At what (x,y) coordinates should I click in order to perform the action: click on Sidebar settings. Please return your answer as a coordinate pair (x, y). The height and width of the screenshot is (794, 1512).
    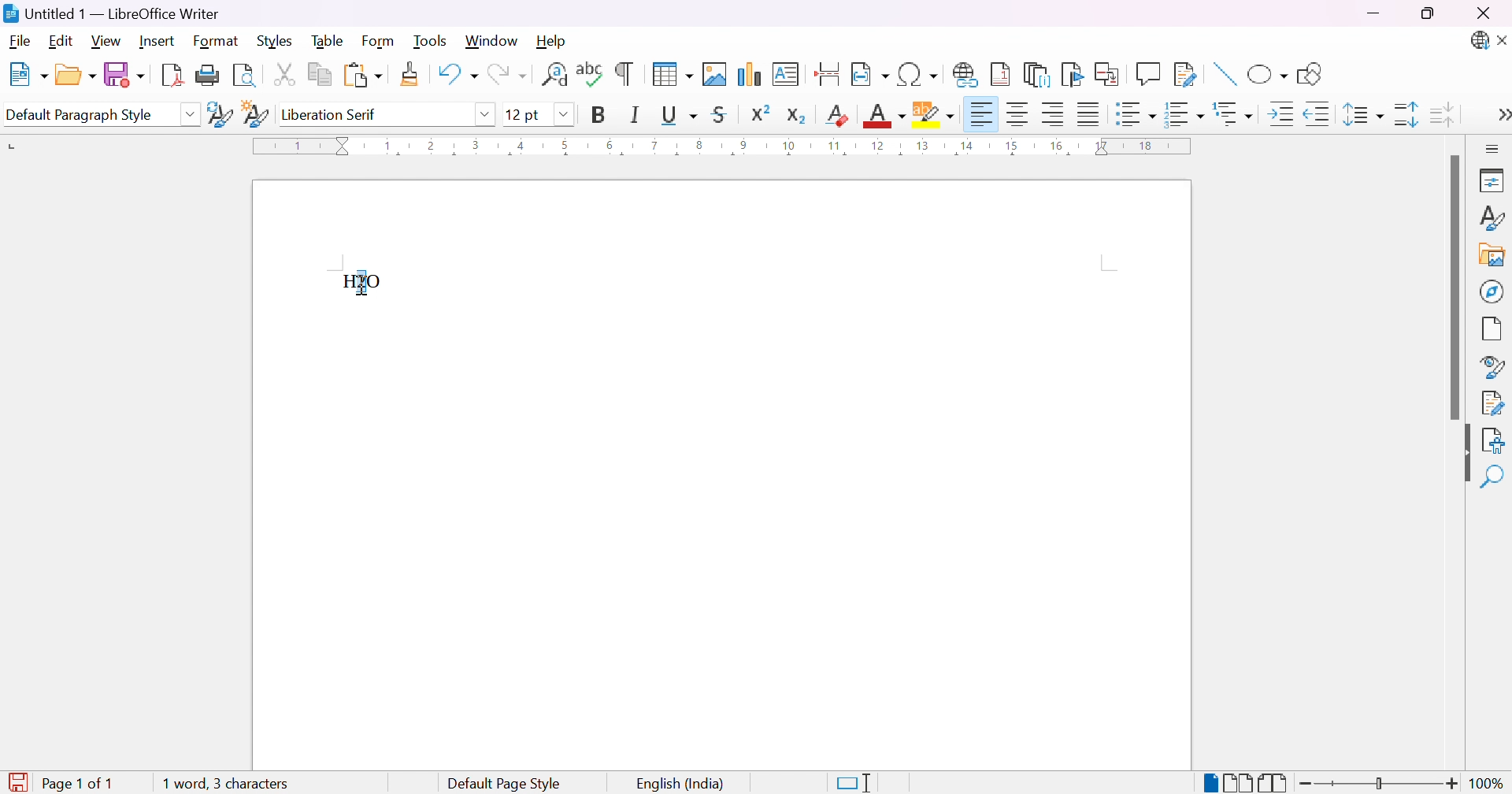
    Looking at the image, I should click on (1494, 148).